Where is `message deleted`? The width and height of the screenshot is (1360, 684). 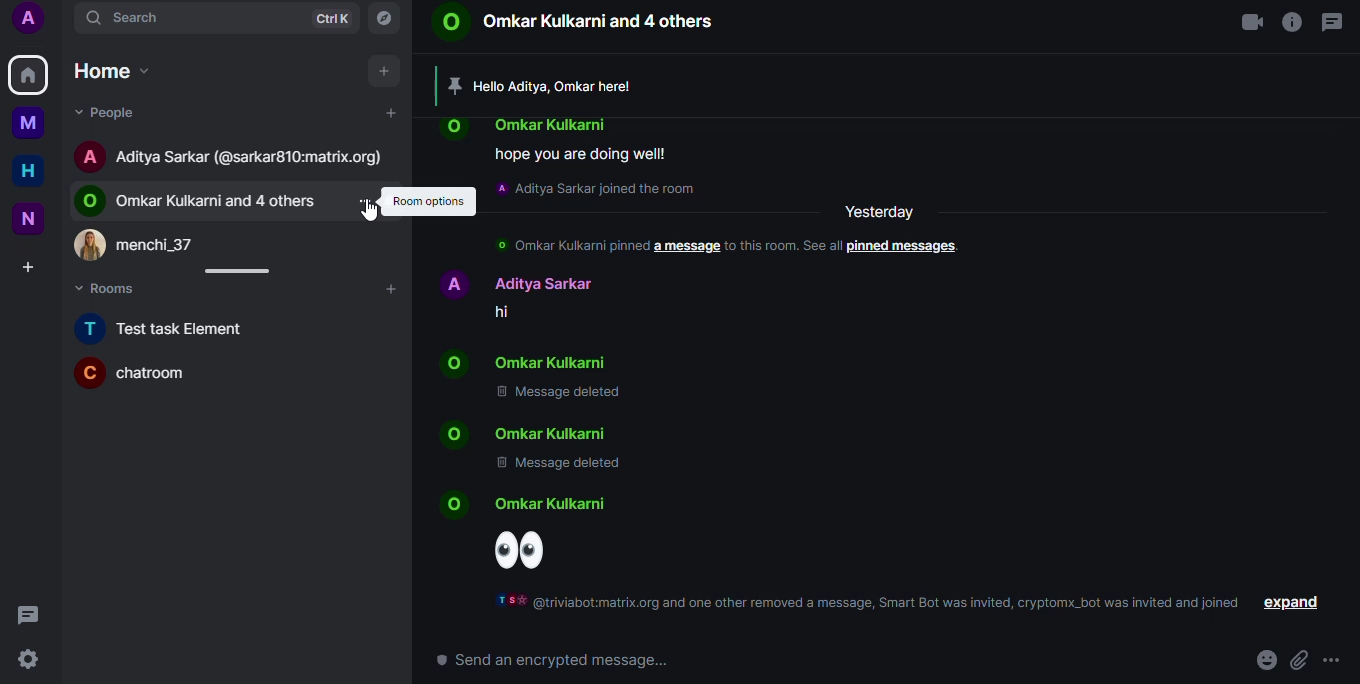 message deleted is located at coordinates (563, 393).